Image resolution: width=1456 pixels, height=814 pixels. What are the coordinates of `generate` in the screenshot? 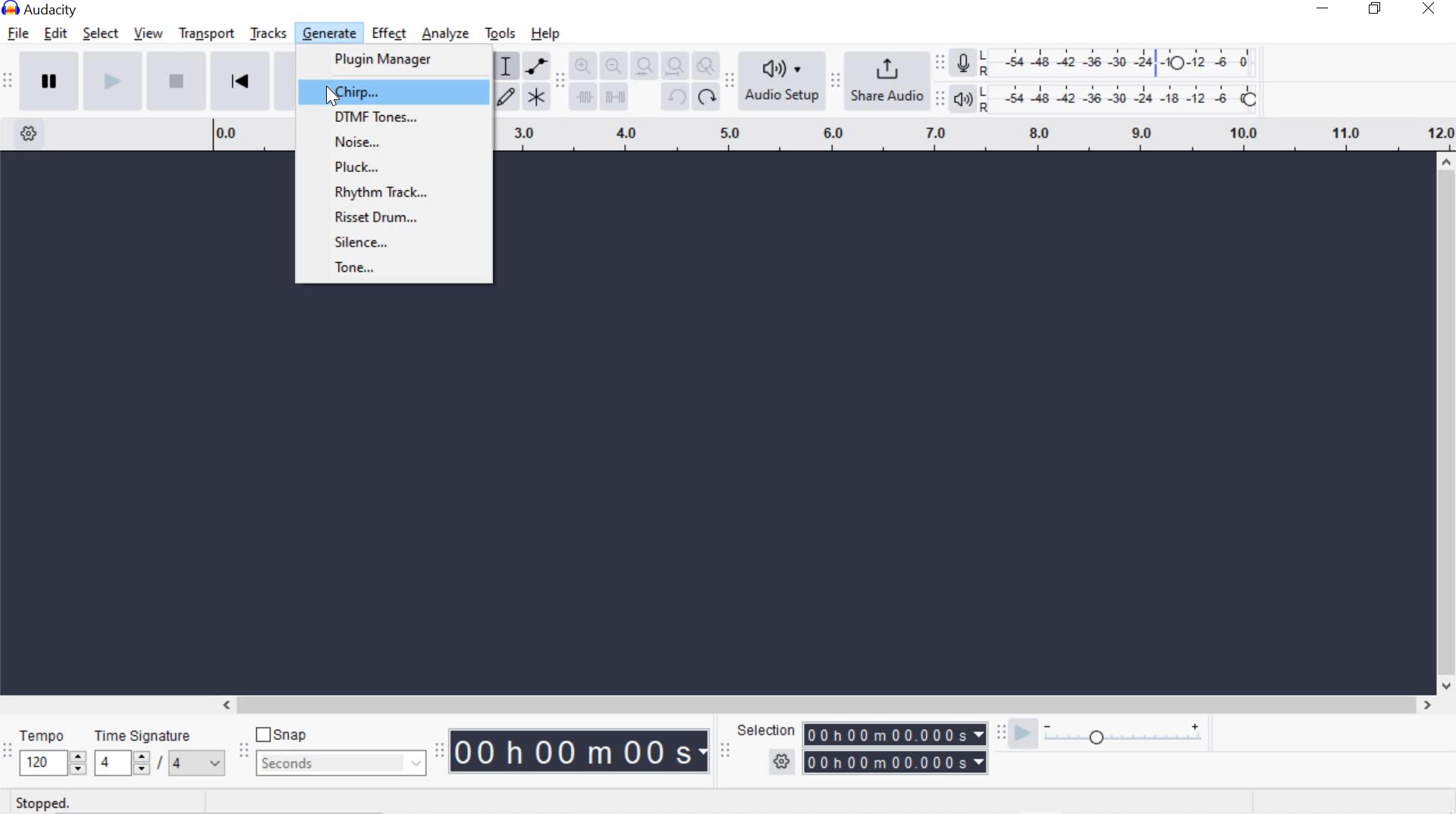 It's located at (332, 33).